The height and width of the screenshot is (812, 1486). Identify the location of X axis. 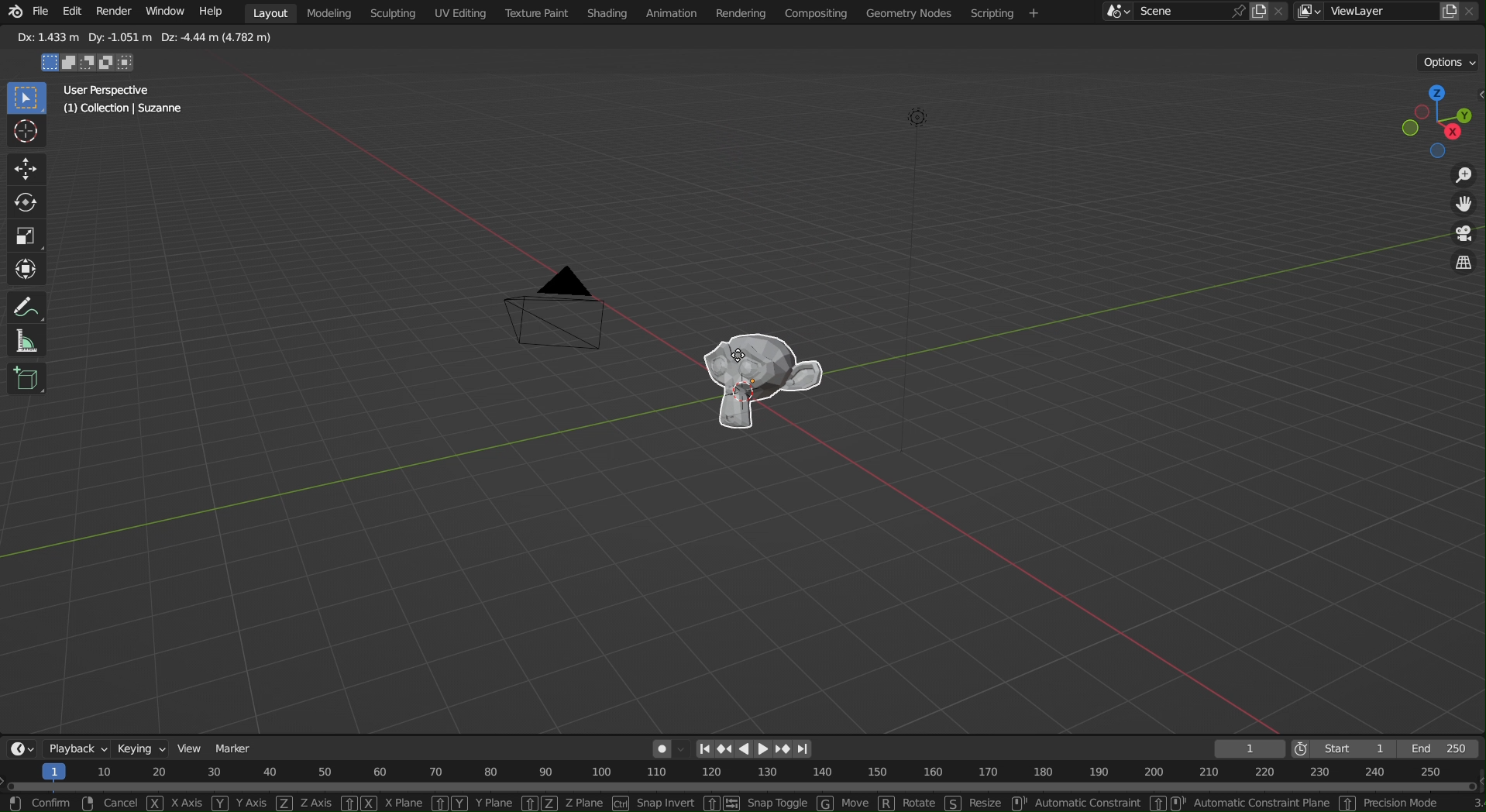
(187, 803).